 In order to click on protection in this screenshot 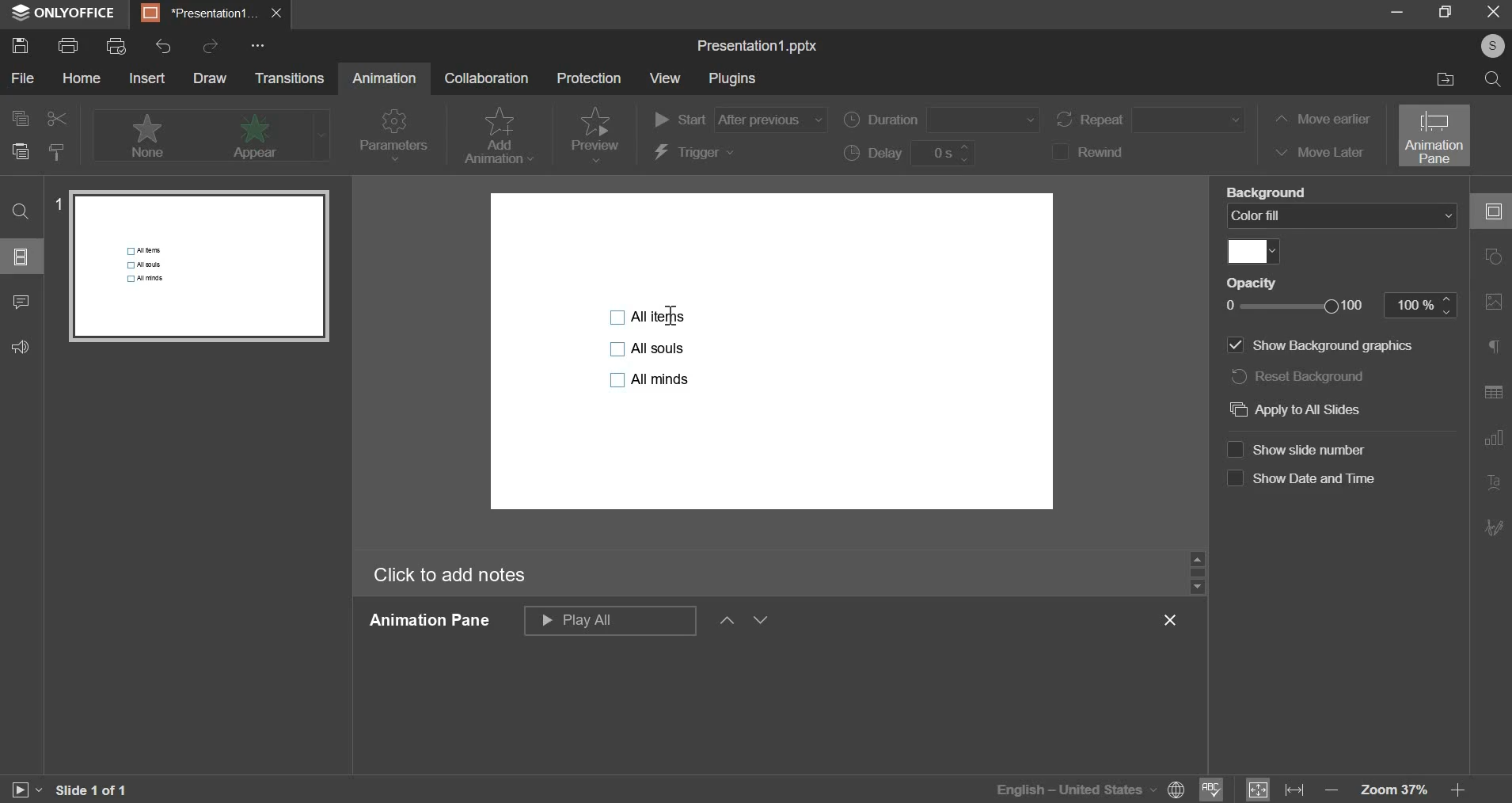, I will do `click(587, 78)`.